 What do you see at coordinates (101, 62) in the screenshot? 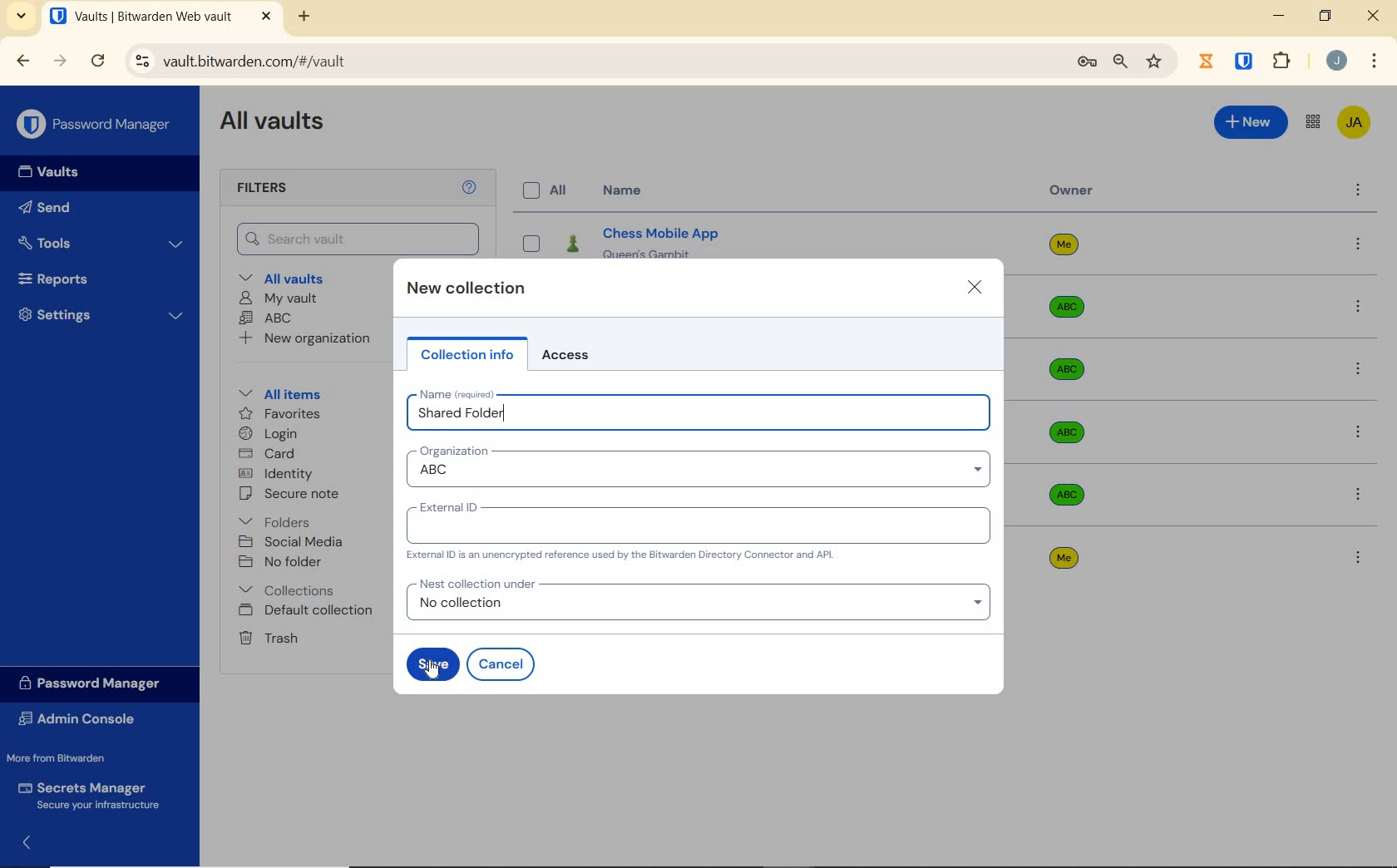
I see `reload` at bounding box center [101, 62].